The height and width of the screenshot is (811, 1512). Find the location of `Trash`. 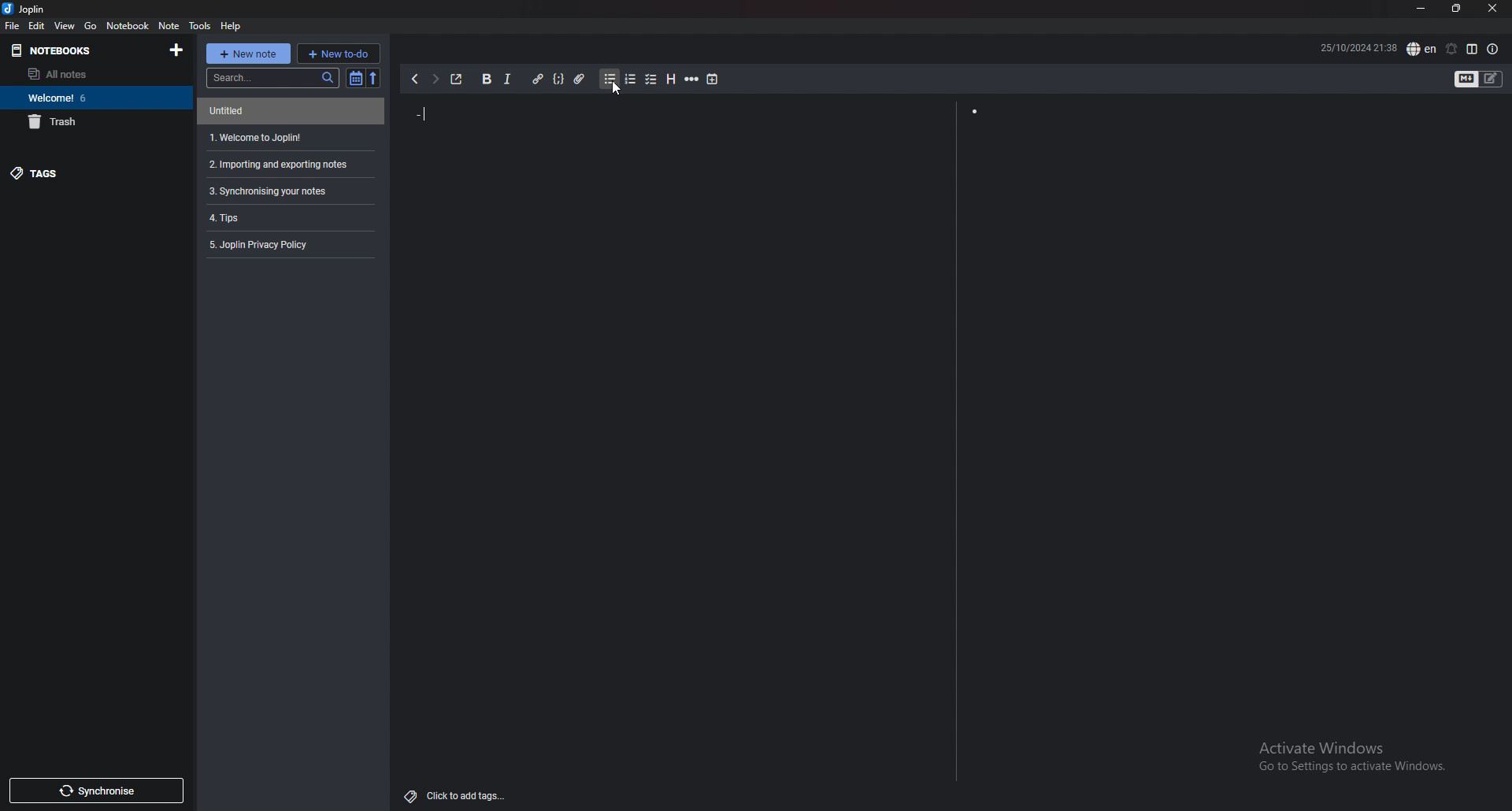

Trash is located at coordinates (55, 120).